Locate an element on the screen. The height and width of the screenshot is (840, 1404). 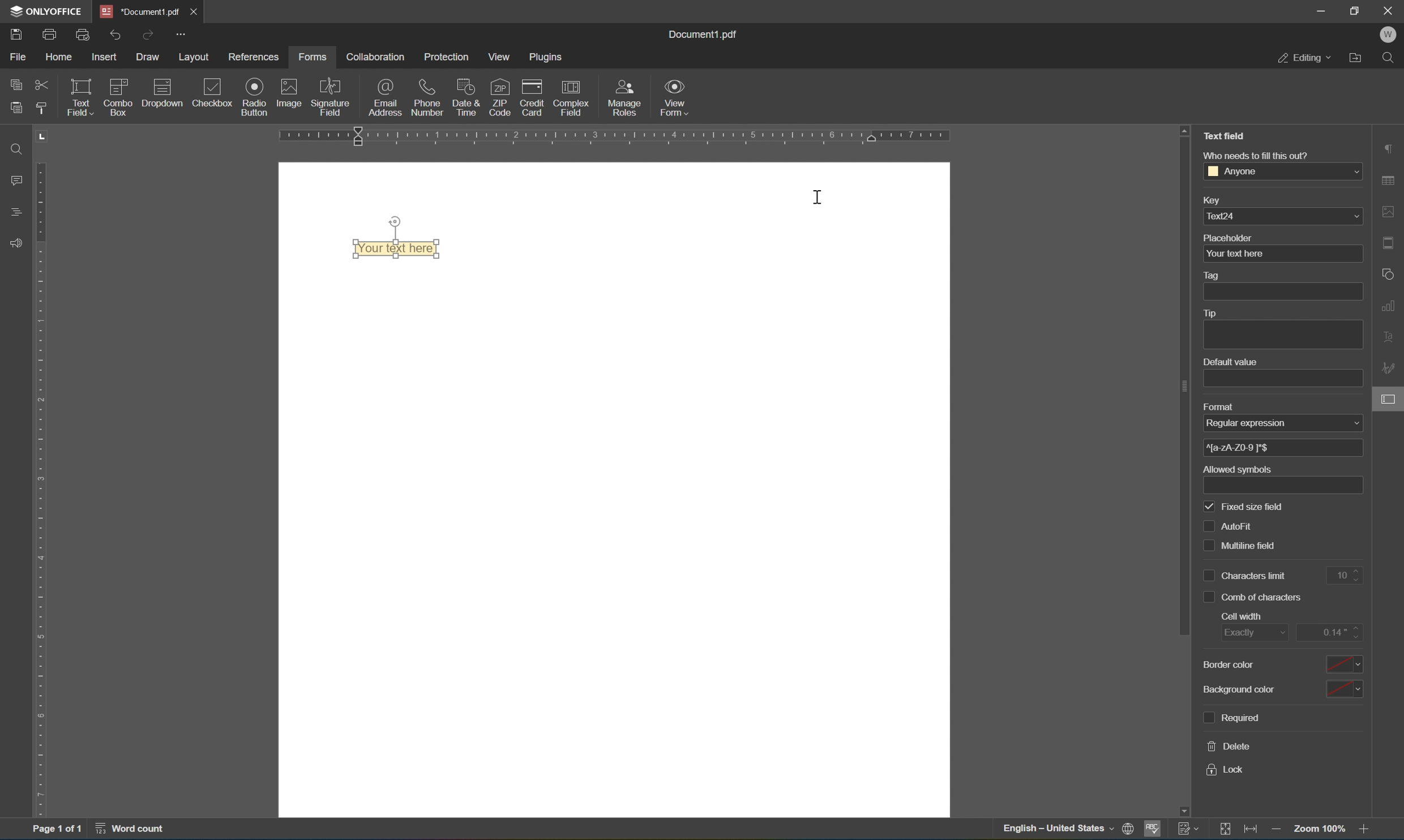
tag is located at coordinates (1214, 276).